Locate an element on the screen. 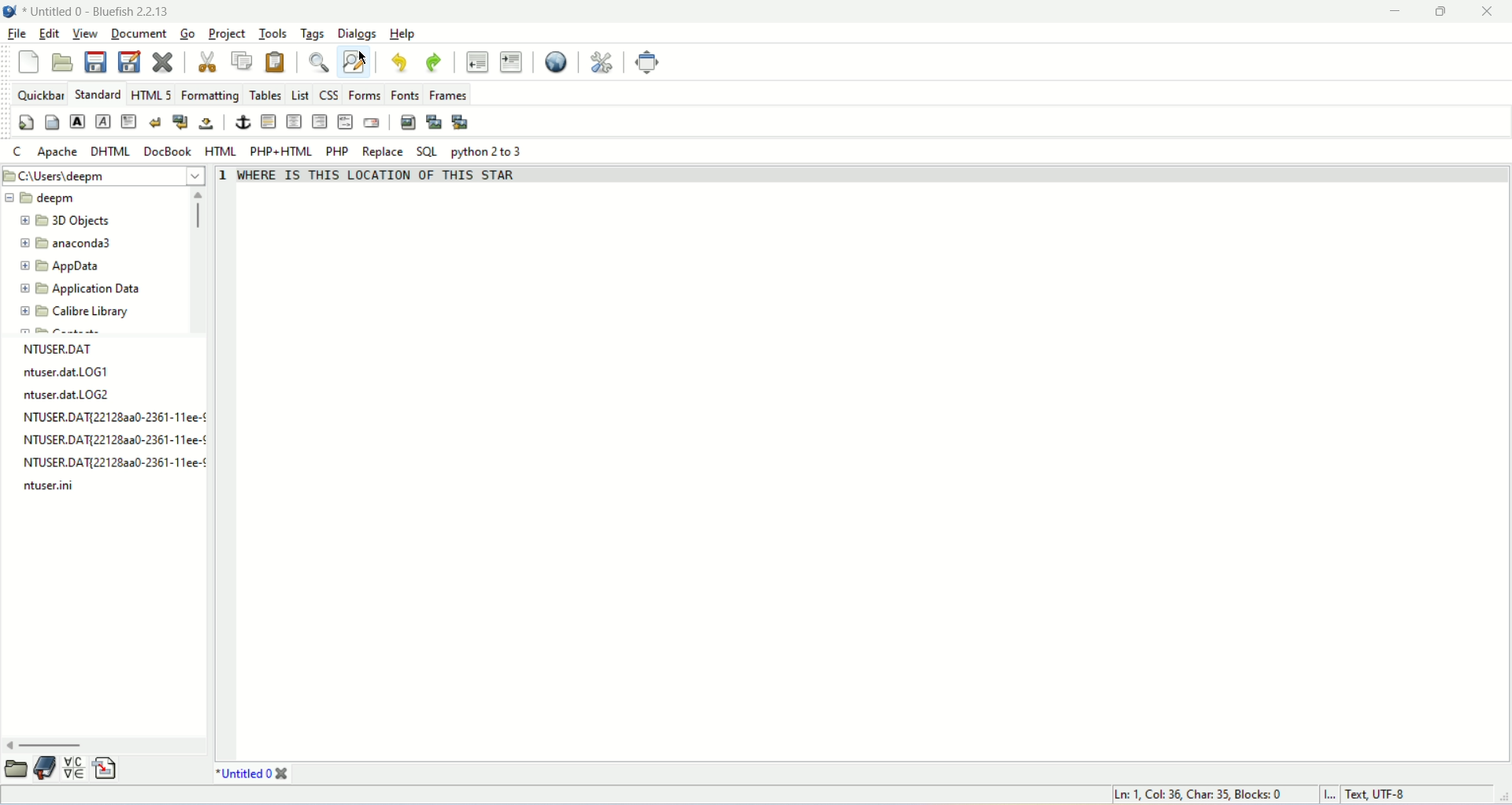  PHP is located at coordinates (337, 150).